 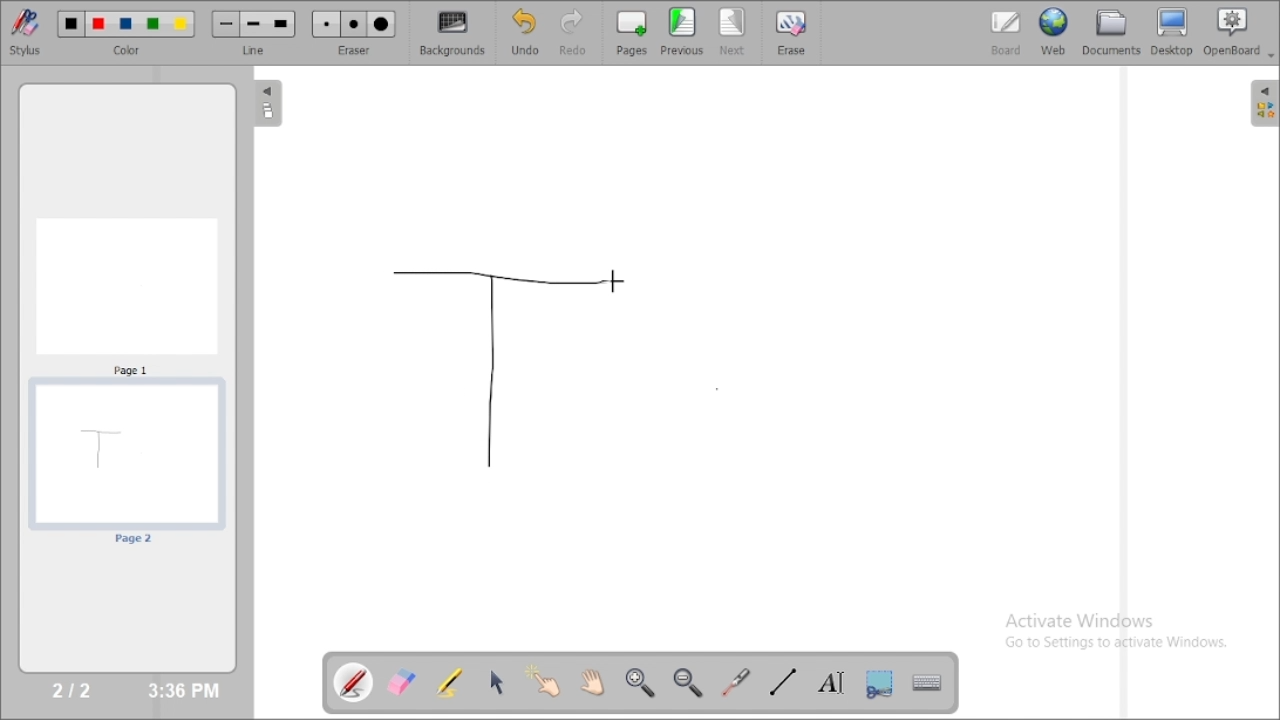 What do you see at coordinates (282, 25) in the screenshot?
I see `Large line` at bounding box center [282, 25].